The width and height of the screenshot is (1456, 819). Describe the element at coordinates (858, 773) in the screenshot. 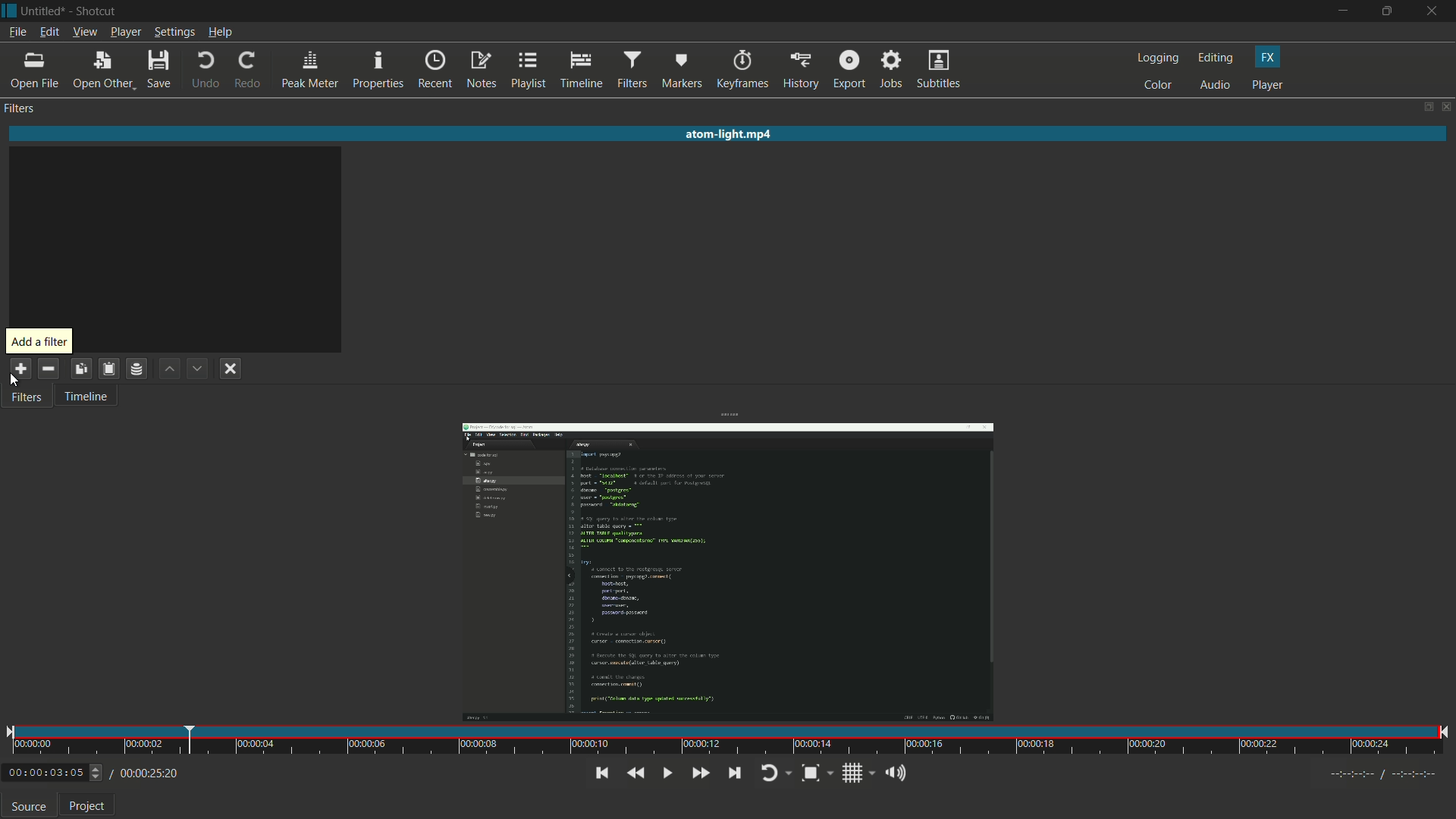

I see `show grid` at that location.